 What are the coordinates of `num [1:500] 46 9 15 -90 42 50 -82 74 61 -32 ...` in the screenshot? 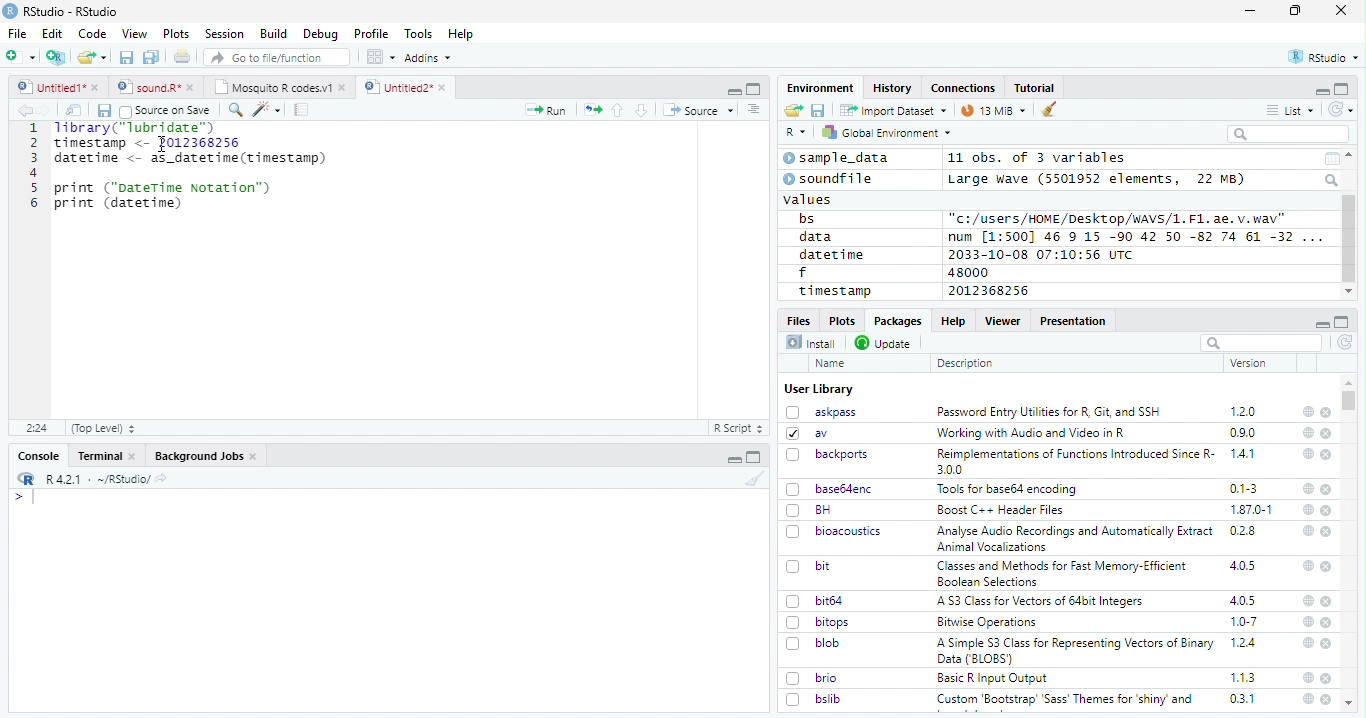 It's located at (1135, 236).